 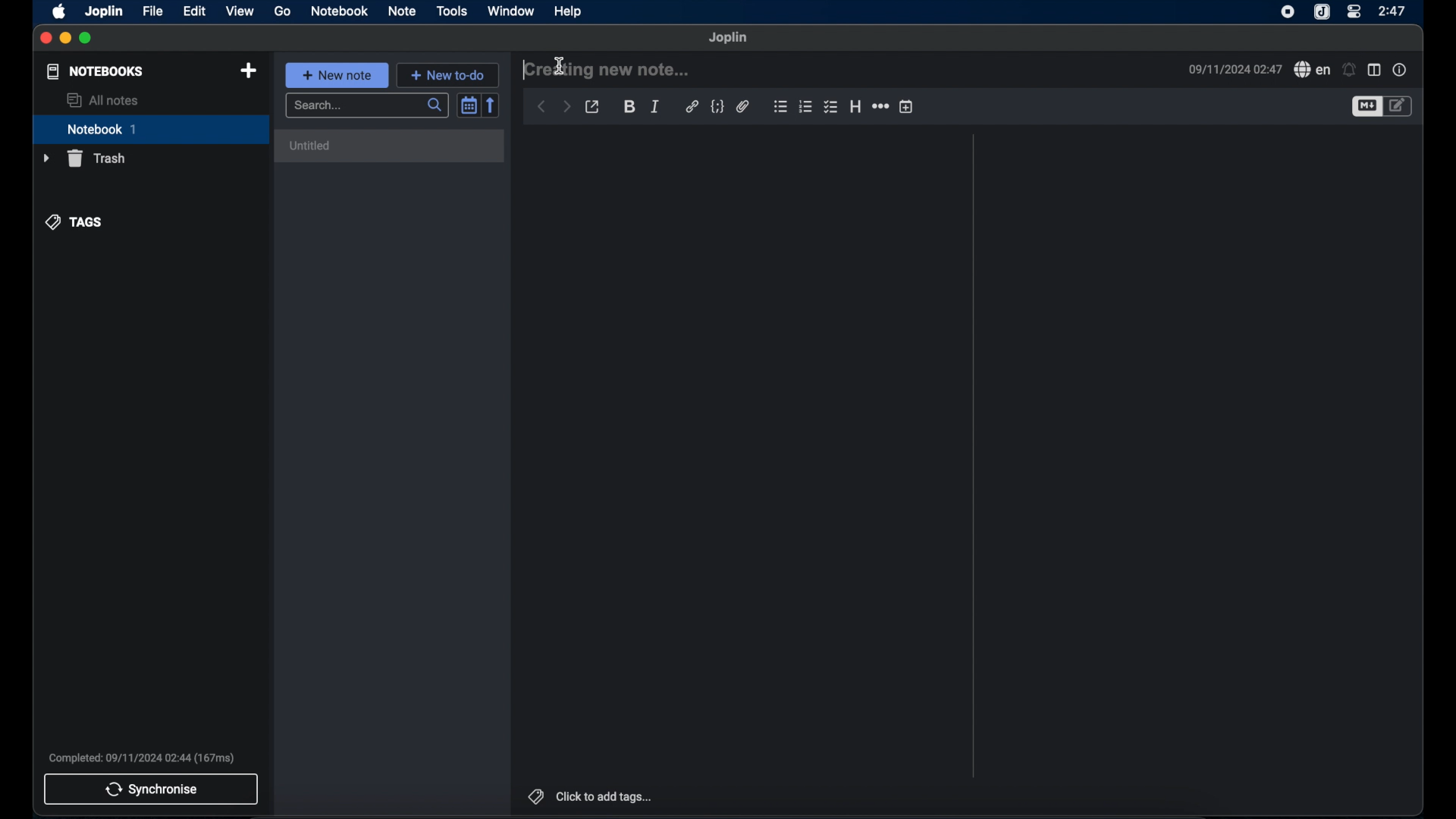 I want to click on synchronise, so click(x=152, y=789).